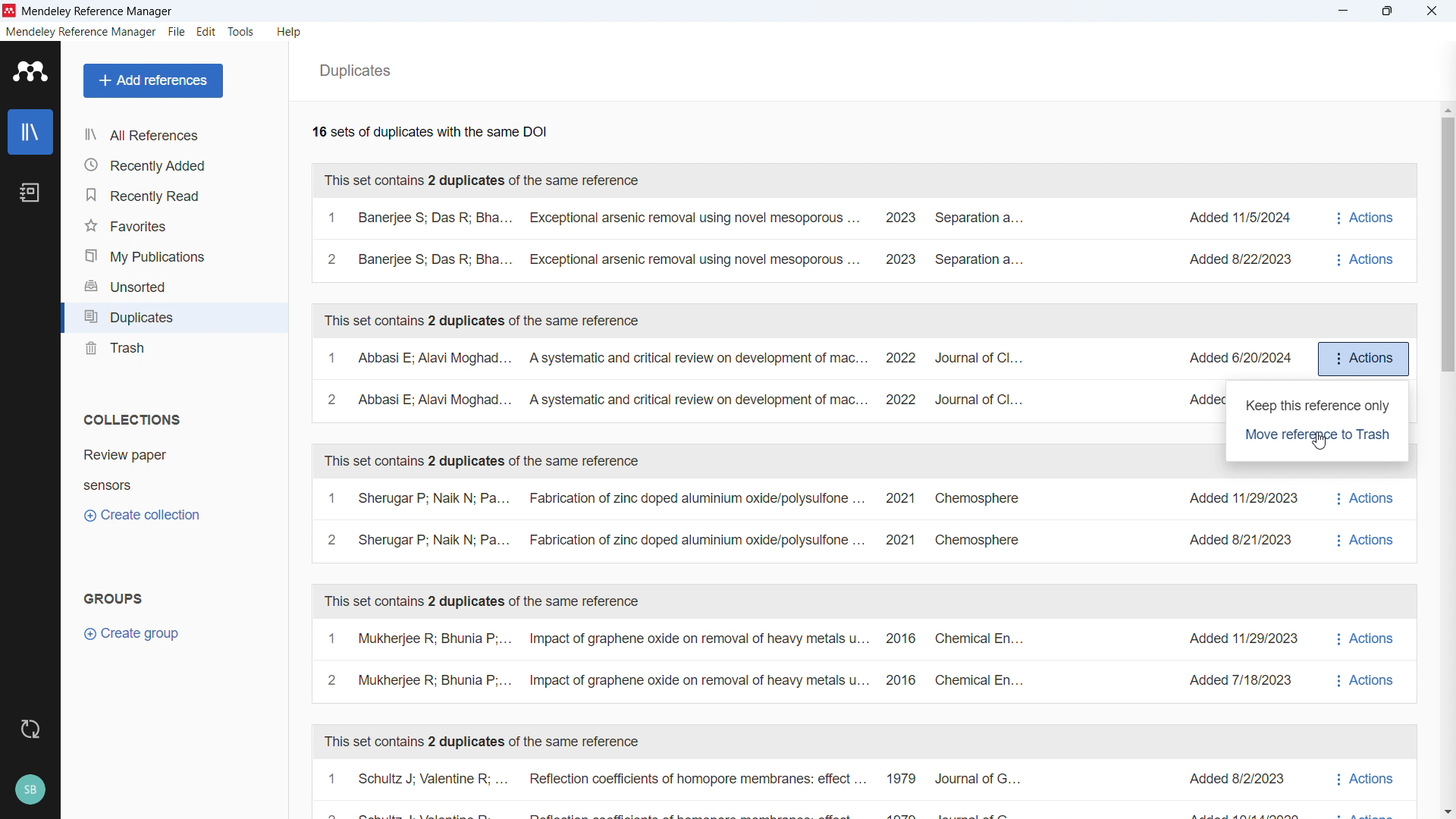 This screenshot has width=1456, height=819. What do you see at coordinates (1319, 442) in the screenshot?
I see `Cursor ` at bounding box center [1319, 442].